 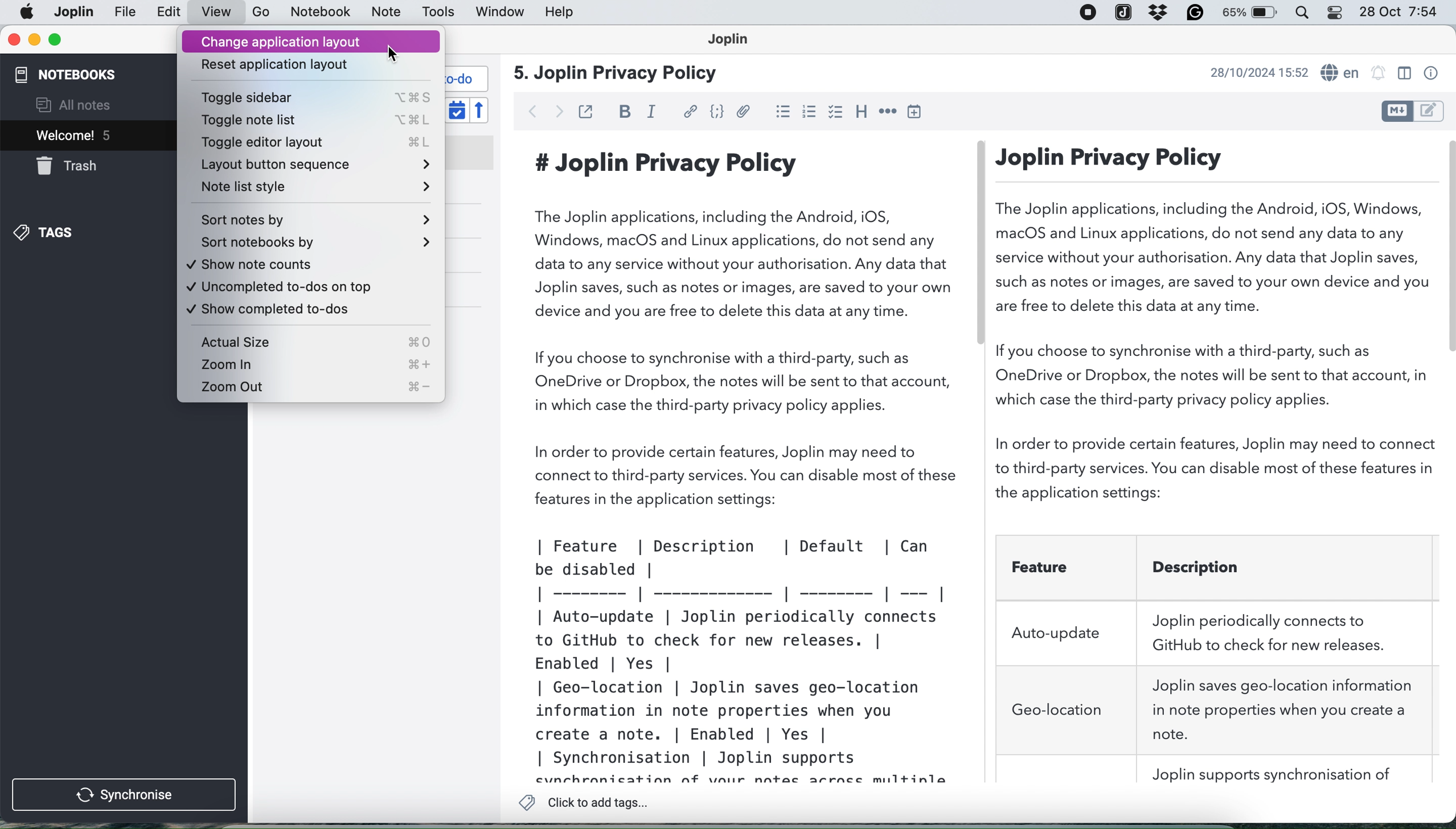 I want to click on Change application layout , so click(x=313, y=41).